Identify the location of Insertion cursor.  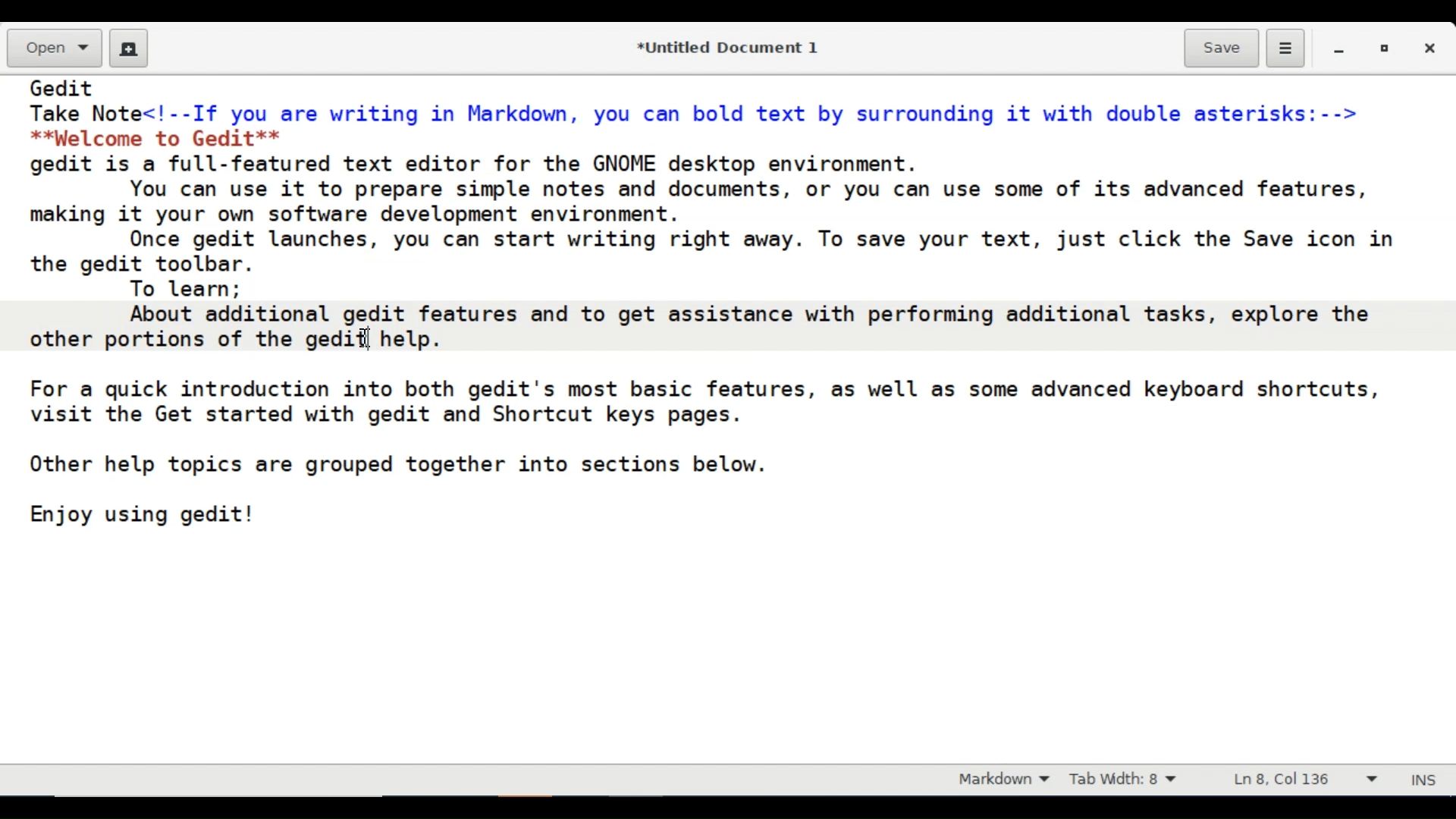
(368, 336).